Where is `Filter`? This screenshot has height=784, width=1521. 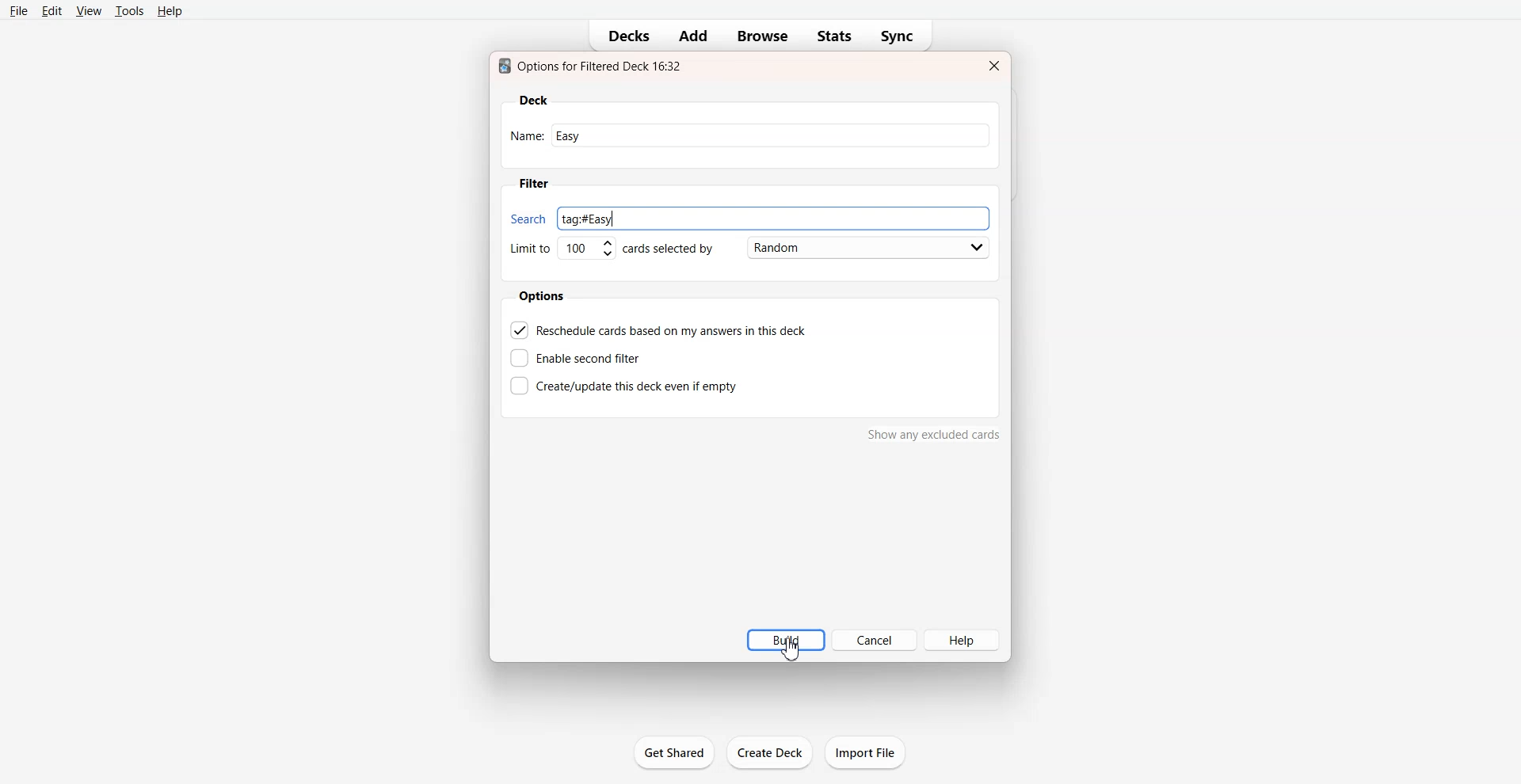 Filter is located at coordinates (533, 184).